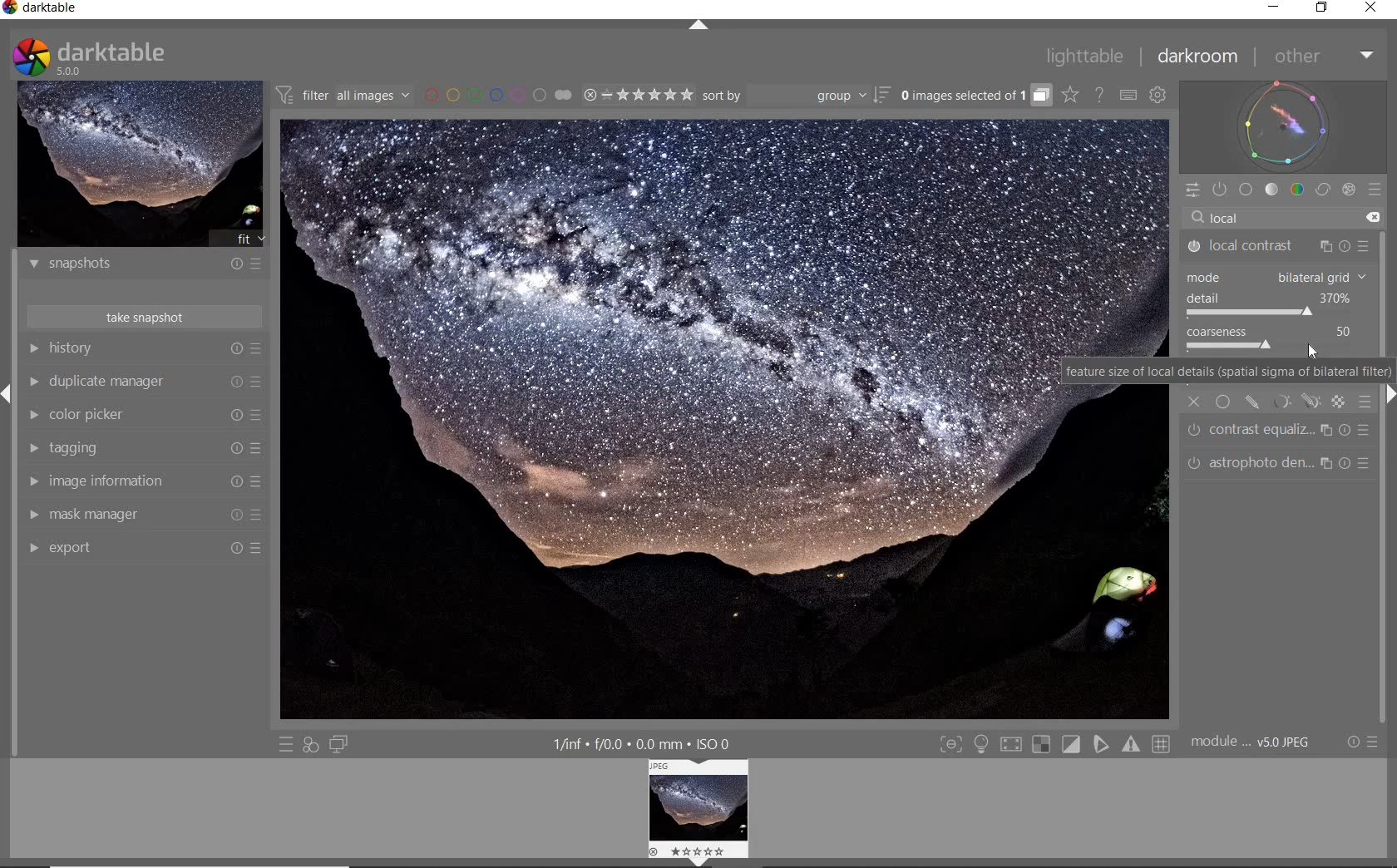  What do you see at coordinates (96, 414) in the screenshot?
I see `color picker` at bounding box center [96, 414].